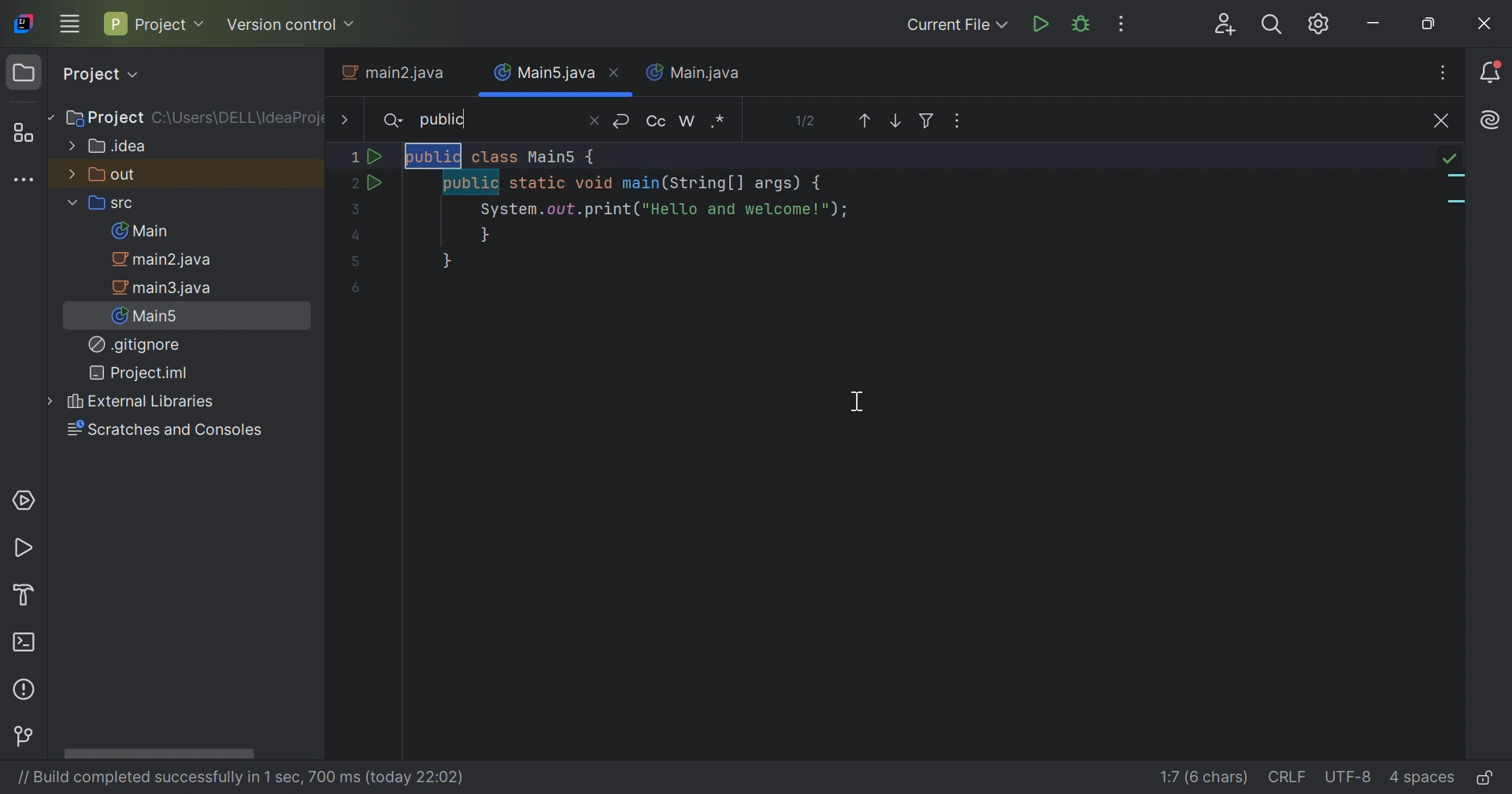  What do you see at coordinates (544, 70) in the screenshot?
I see `Main5.java` at bounding box center [544, 70].